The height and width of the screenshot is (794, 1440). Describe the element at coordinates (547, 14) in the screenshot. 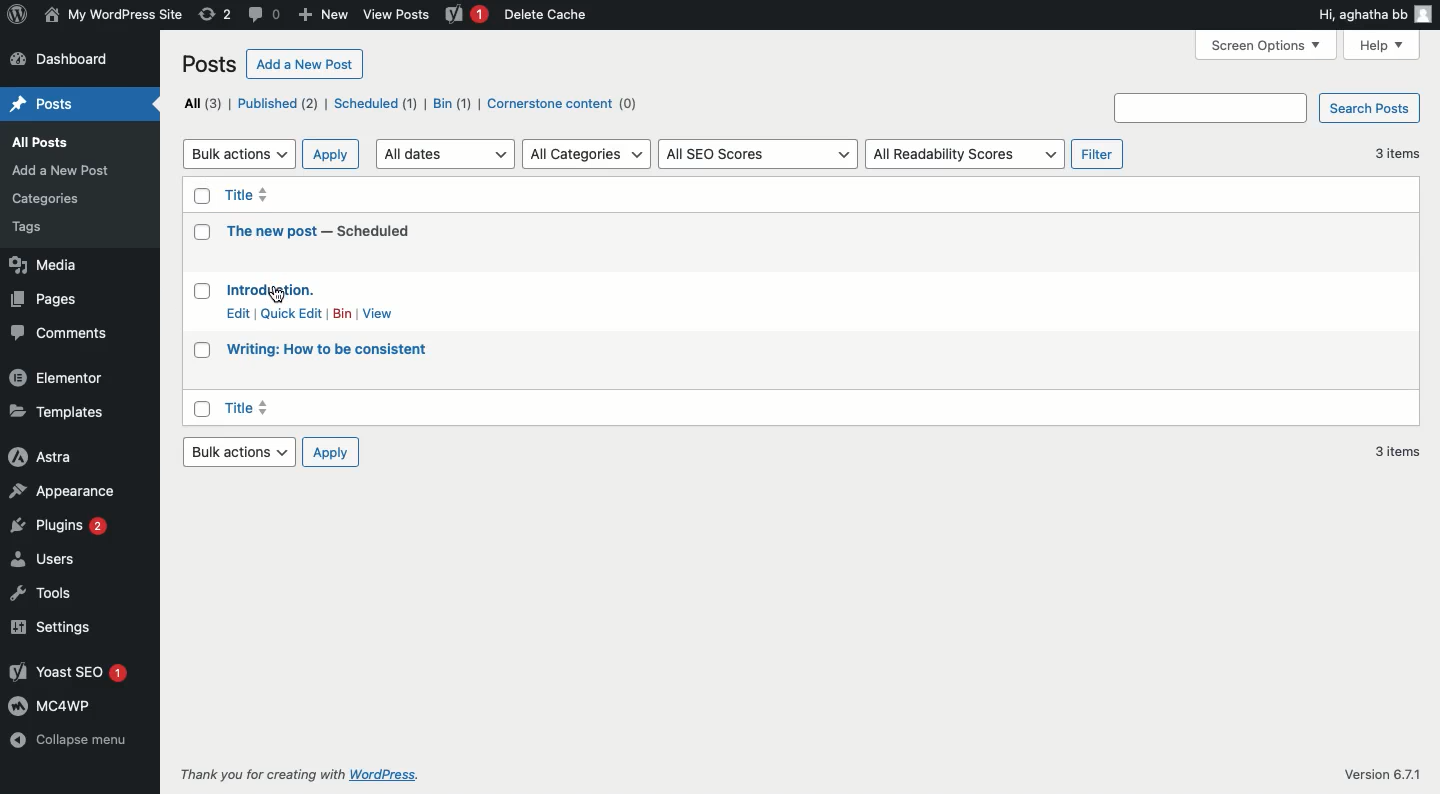

I see `Delete cache` at that location.